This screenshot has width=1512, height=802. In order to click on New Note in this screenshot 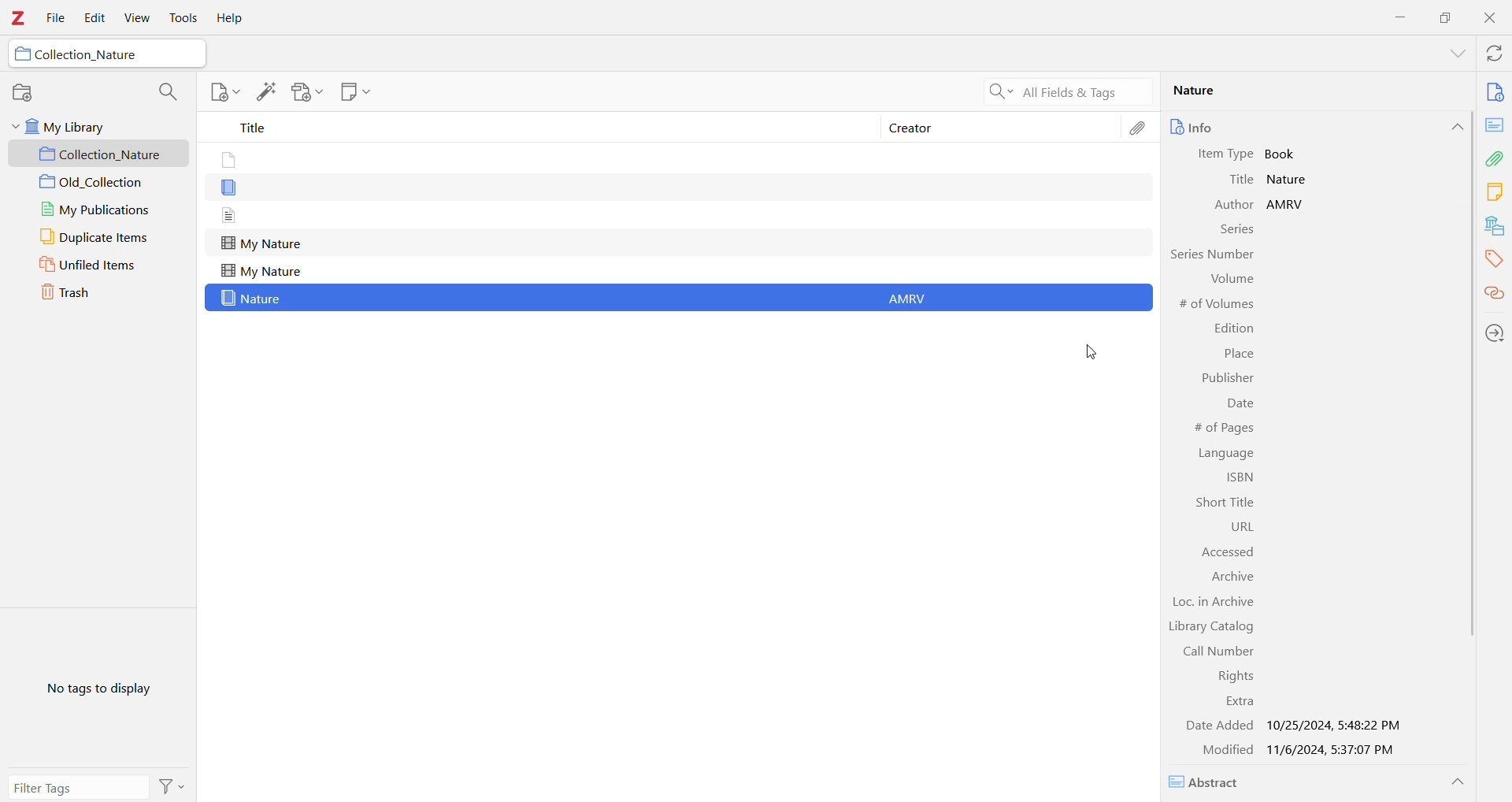, I will do `click(354, 91)`.